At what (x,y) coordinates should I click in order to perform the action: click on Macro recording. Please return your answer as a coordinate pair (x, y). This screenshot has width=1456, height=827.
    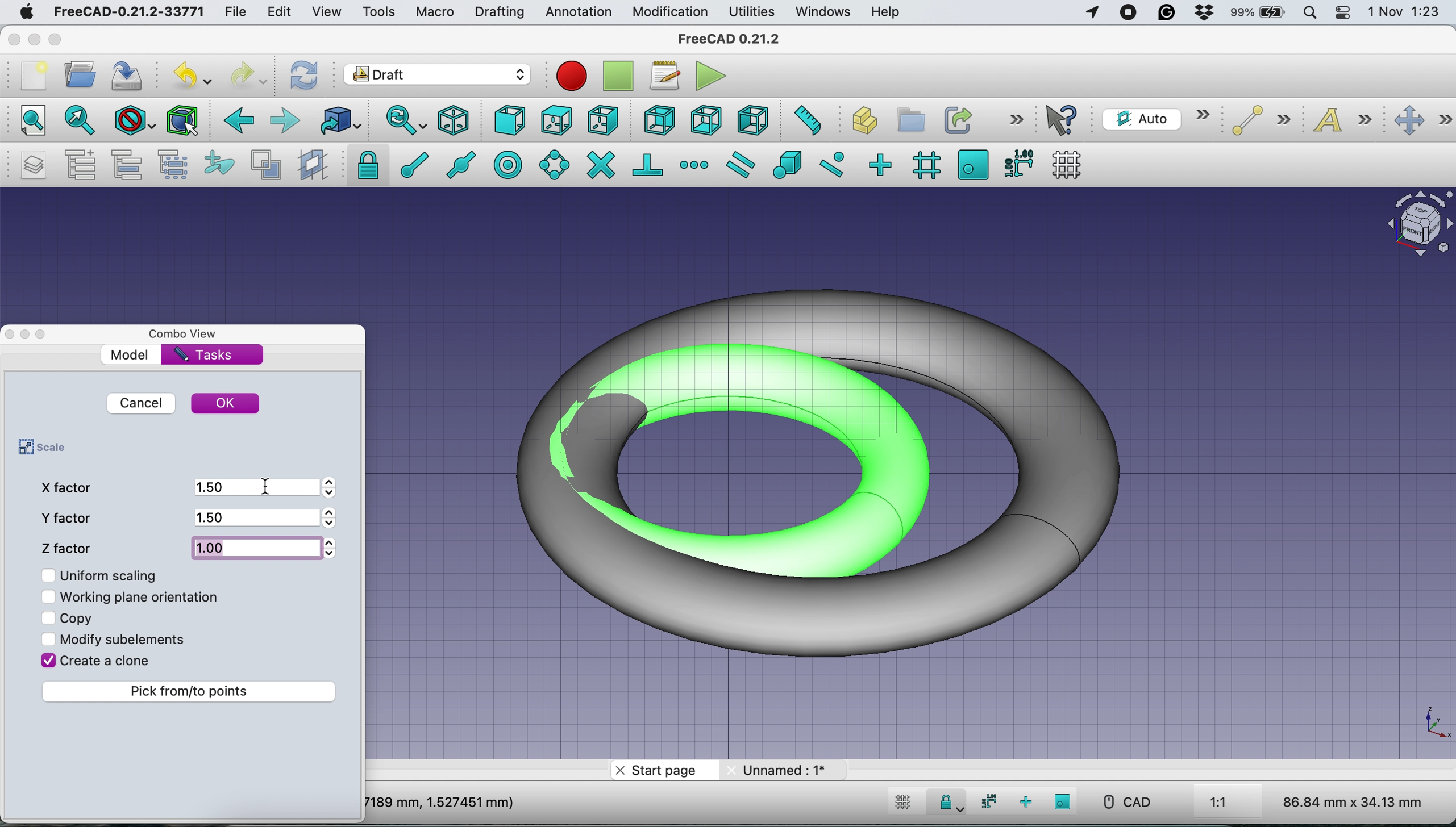
    Looking at the image, I should click on (571, 76).